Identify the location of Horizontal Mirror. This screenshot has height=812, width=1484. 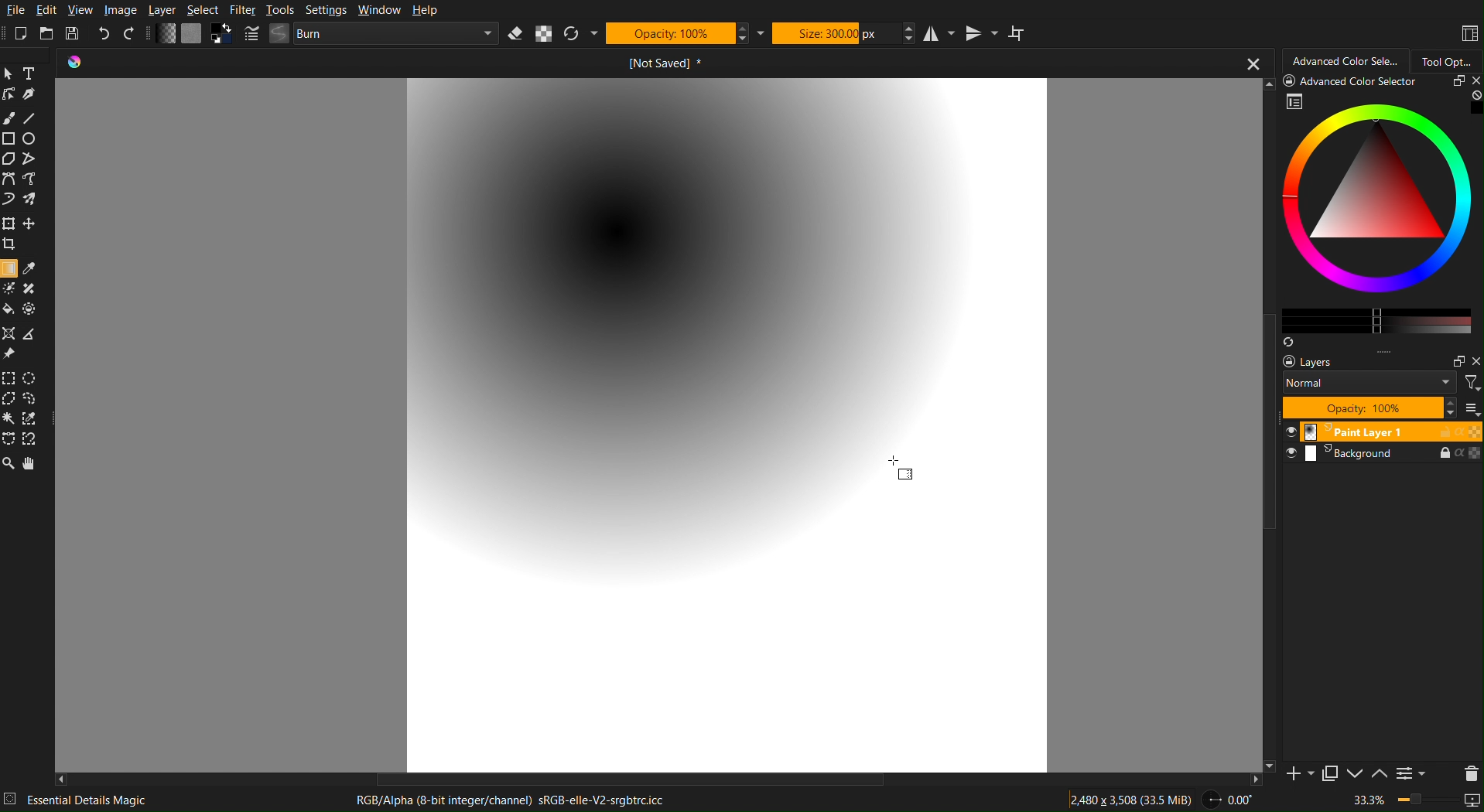
(939, 32).